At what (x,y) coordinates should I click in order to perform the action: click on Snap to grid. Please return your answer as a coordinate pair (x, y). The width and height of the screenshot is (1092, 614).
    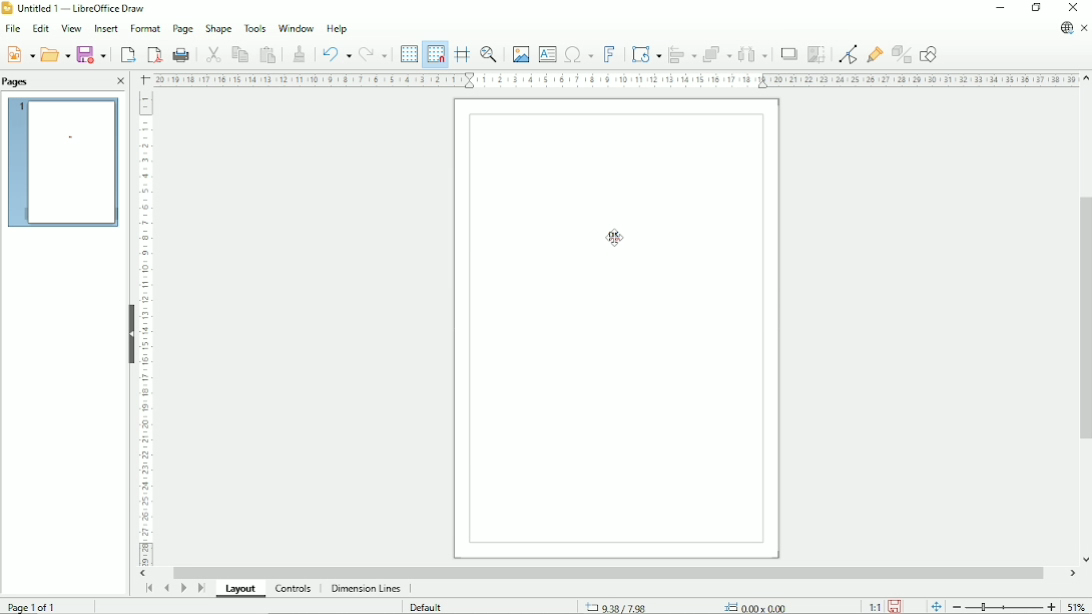
    Looking at the image, I should click on (435, 54).